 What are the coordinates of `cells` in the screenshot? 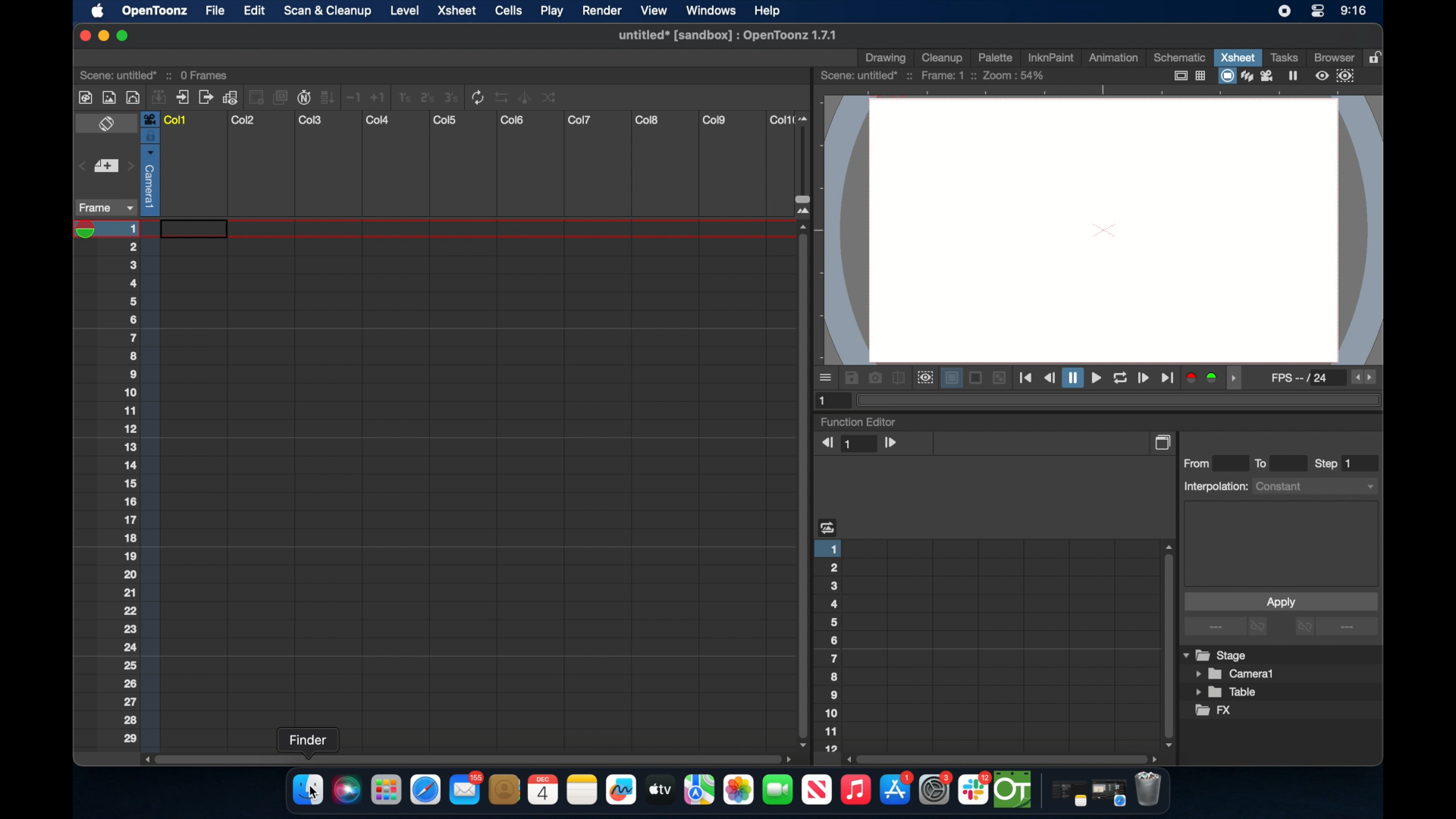 It's located at (508, 11).